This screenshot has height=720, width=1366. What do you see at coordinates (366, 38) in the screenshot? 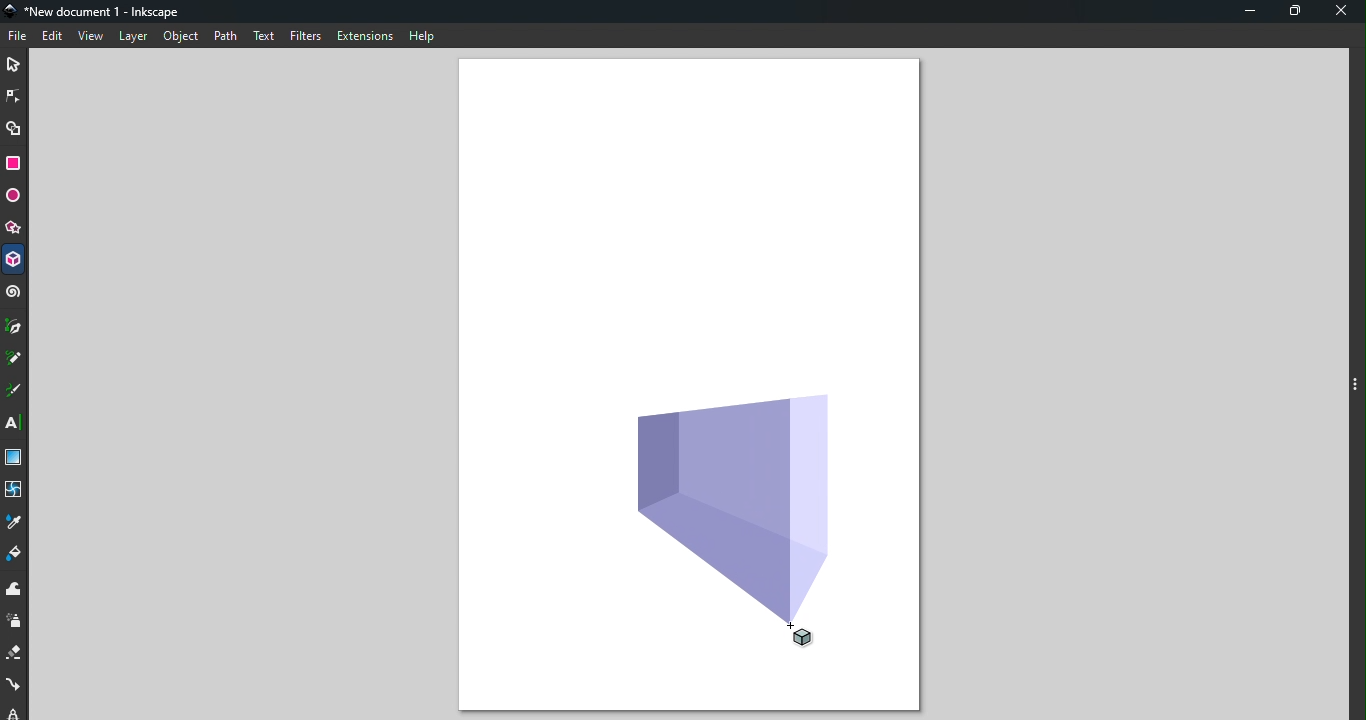
I see `Extensions` at bounding box center [366, 38].